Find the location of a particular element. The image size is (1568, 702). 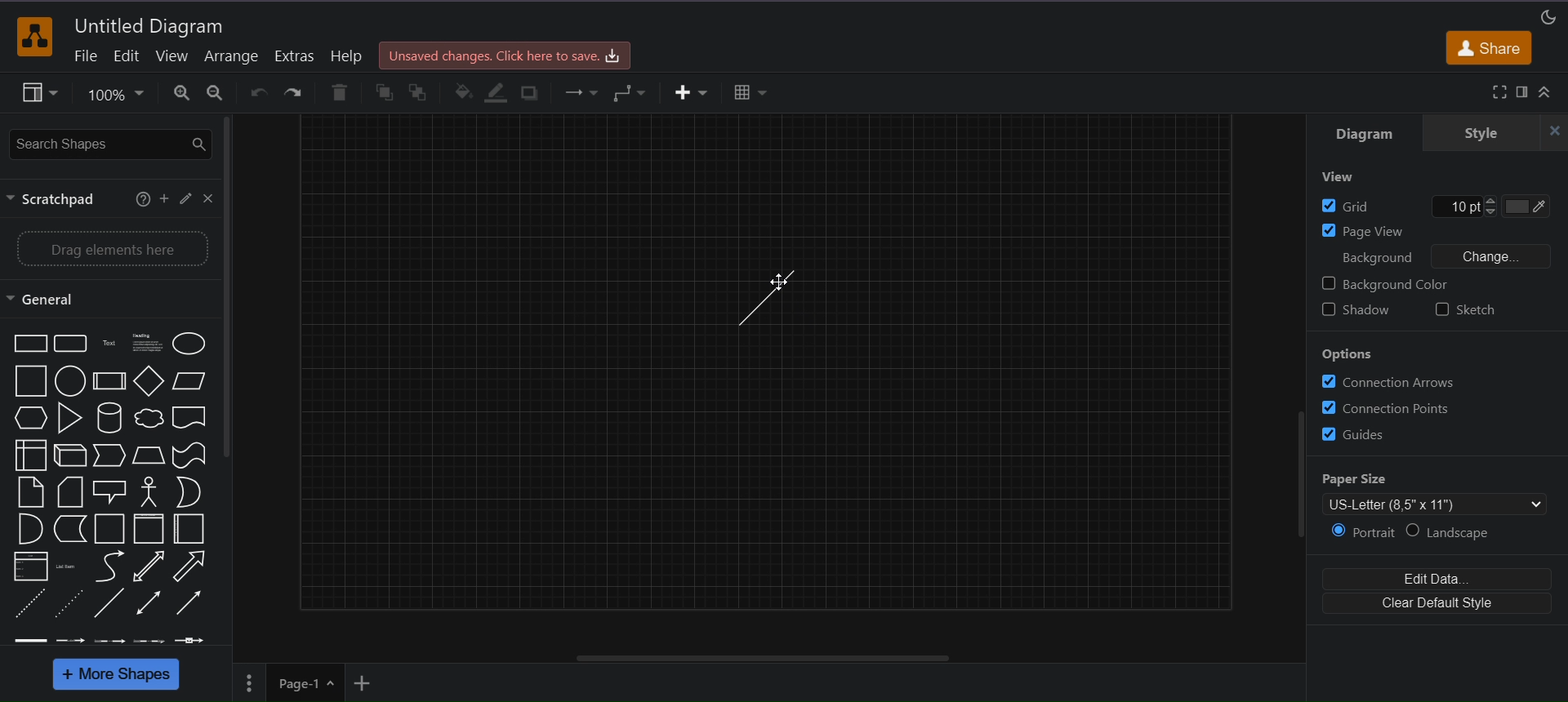

page is located at coordinates (247, 683).